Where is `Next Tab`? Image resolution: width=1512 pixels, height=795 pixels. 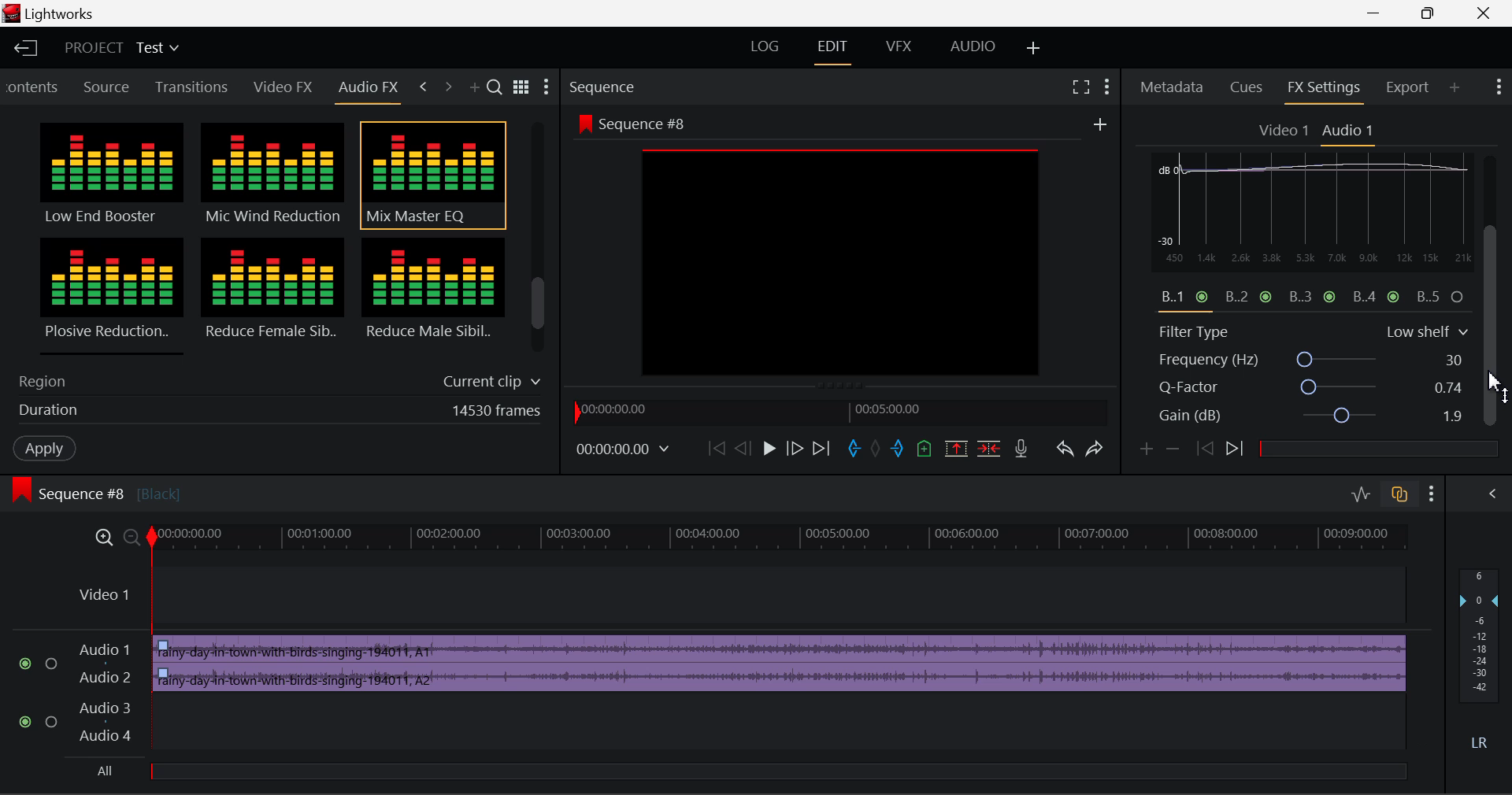 Next Tab is located at coordinates (447, 85).